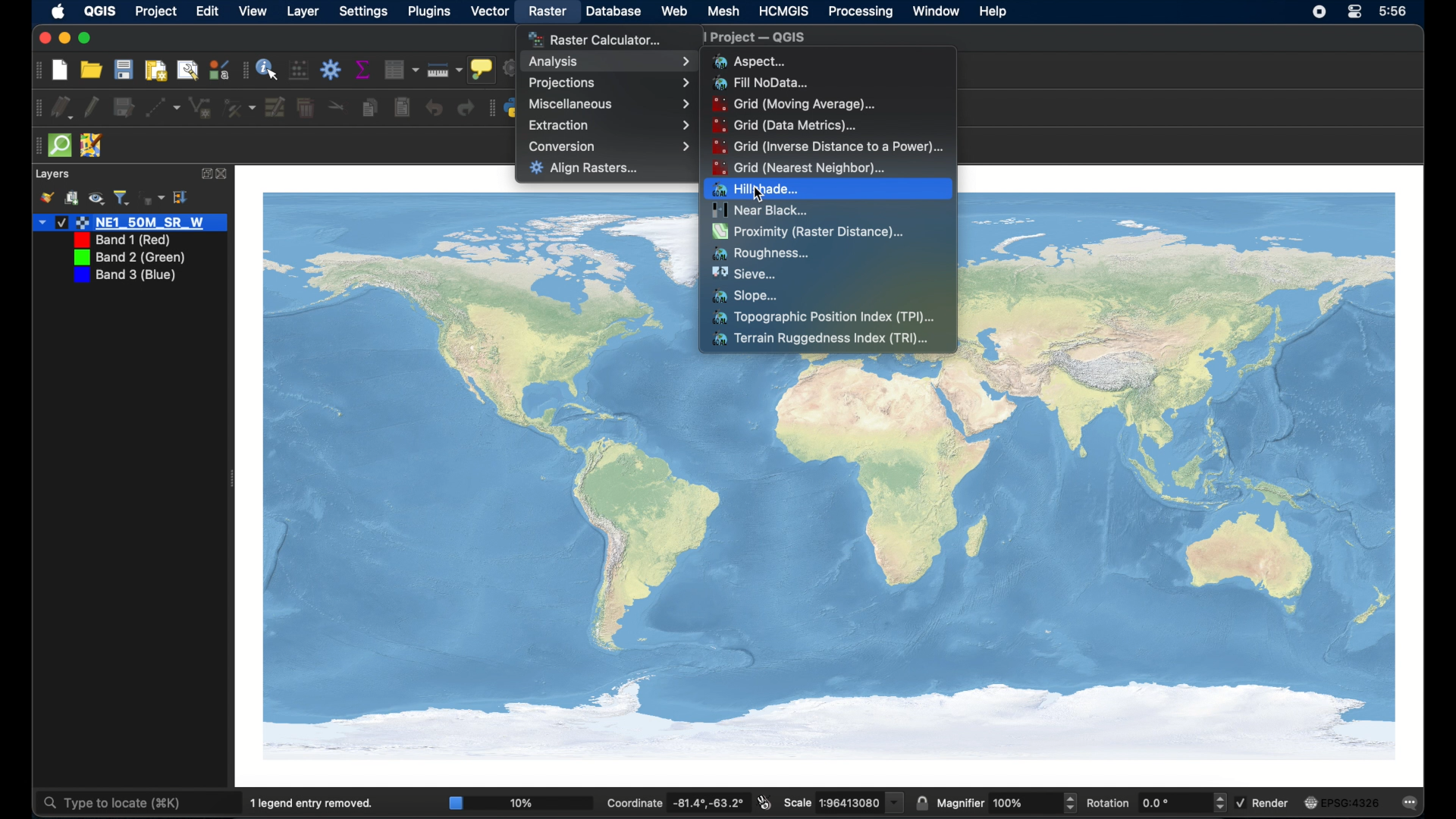  What do you see at coordinates (609, 124) in the screenshot?
I see `extraction menu` at bounding box center [609, 124].